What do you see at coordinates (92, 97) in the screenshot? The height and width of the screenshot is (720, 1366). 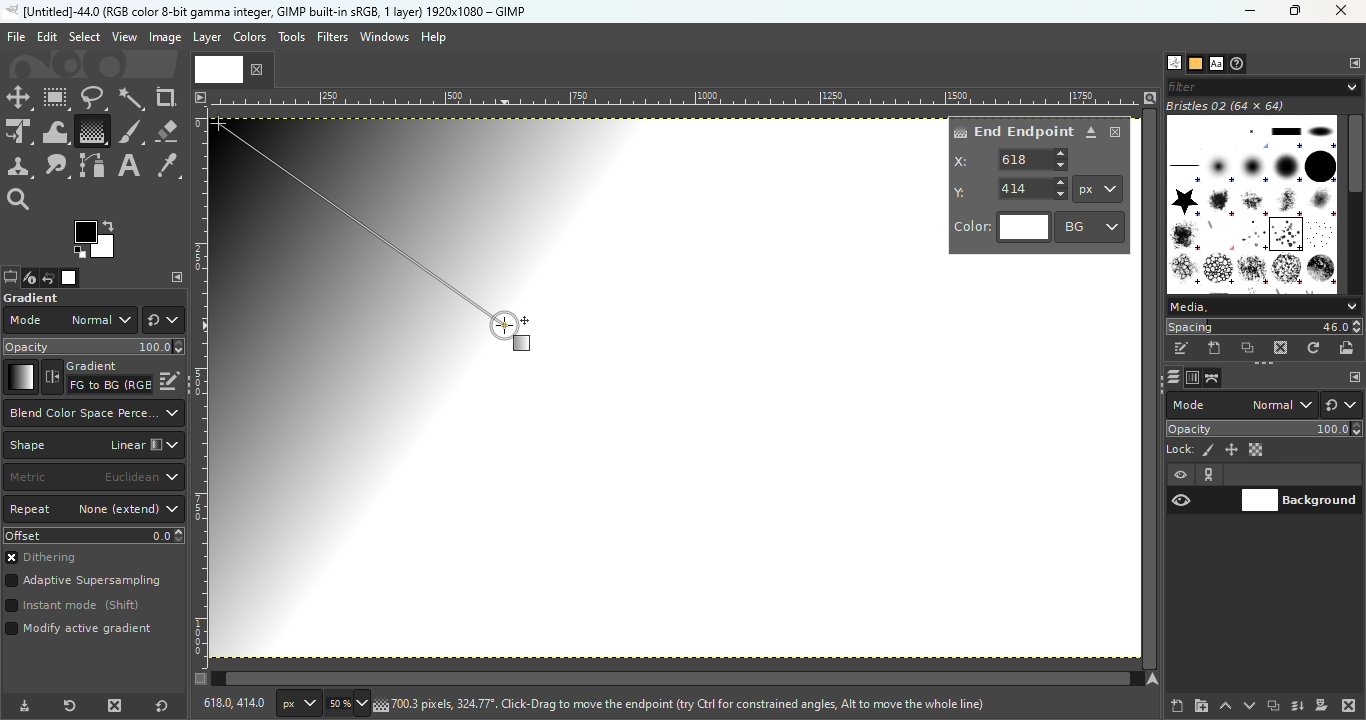 I see `Free select tool` at bounding box center [92, 97].